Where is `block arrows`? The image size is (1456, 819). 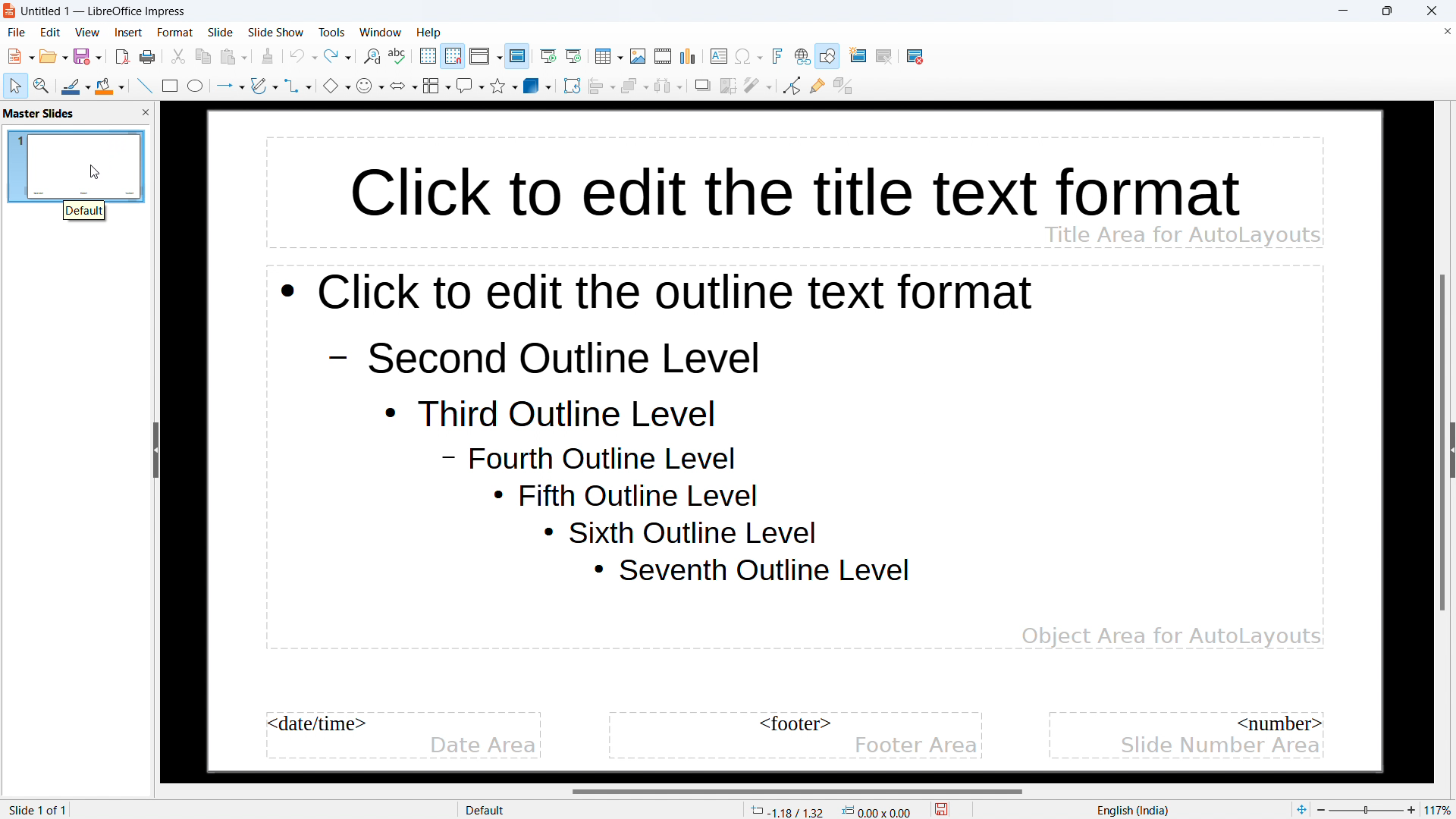
block arrows is located at coordinates (403, 85).